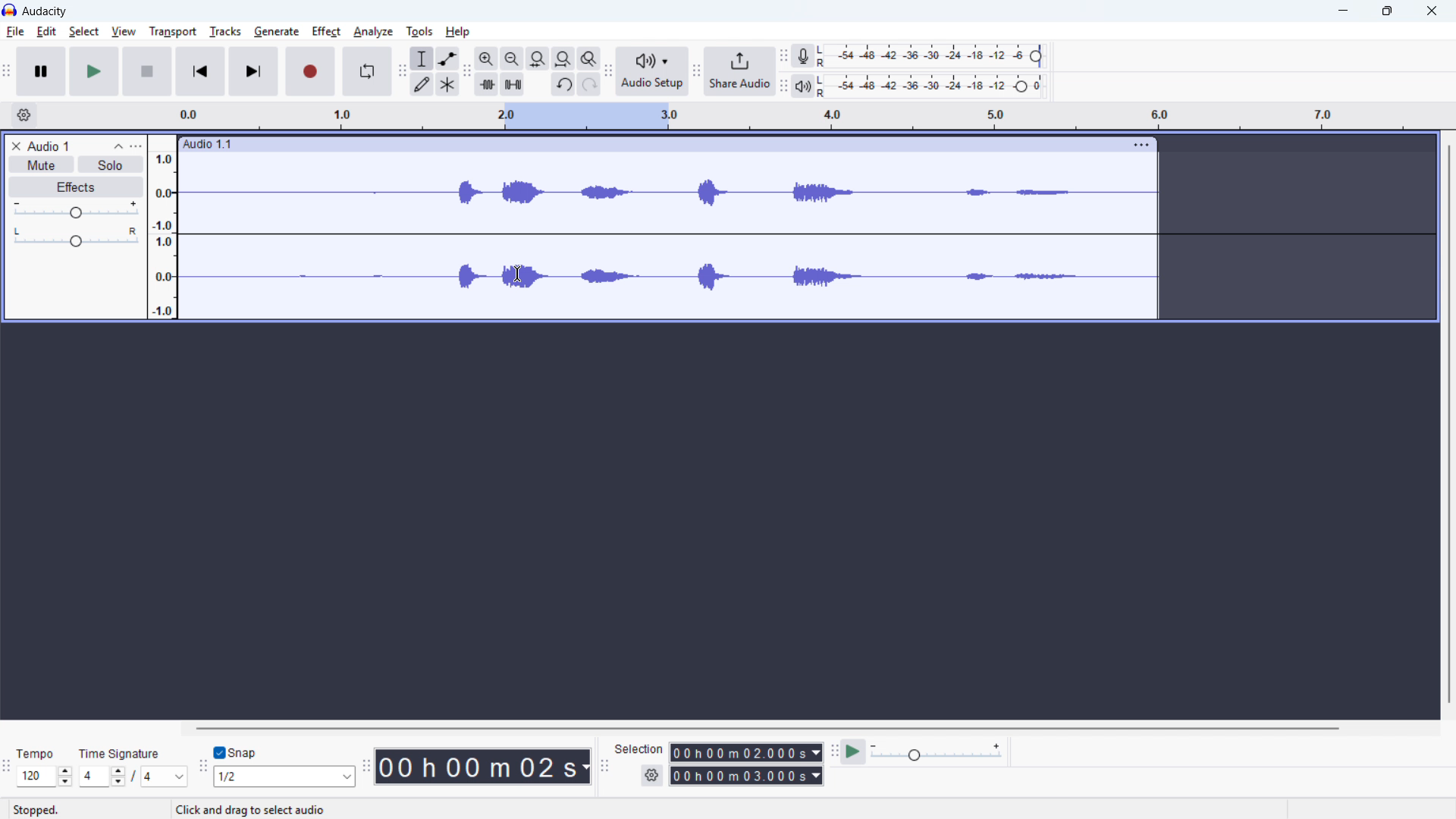 The width and height of the screenshot is (1456, 819). Describe the element at coordinates (511, 59) in the screenshot. I see `Zoom out` at that location.